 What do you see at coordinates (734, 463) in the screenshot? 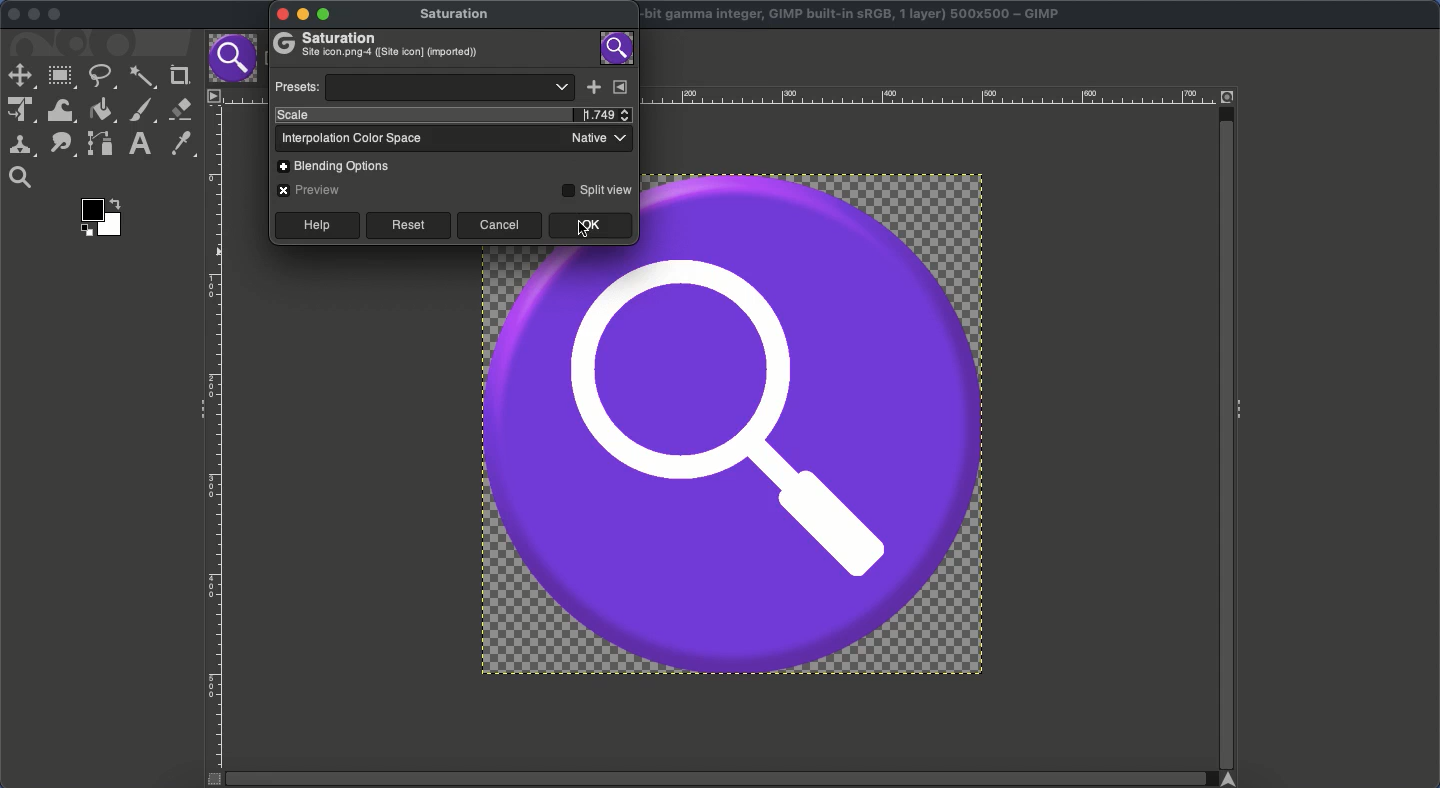
I see `Saturation range` at bounding box center [734, 463].